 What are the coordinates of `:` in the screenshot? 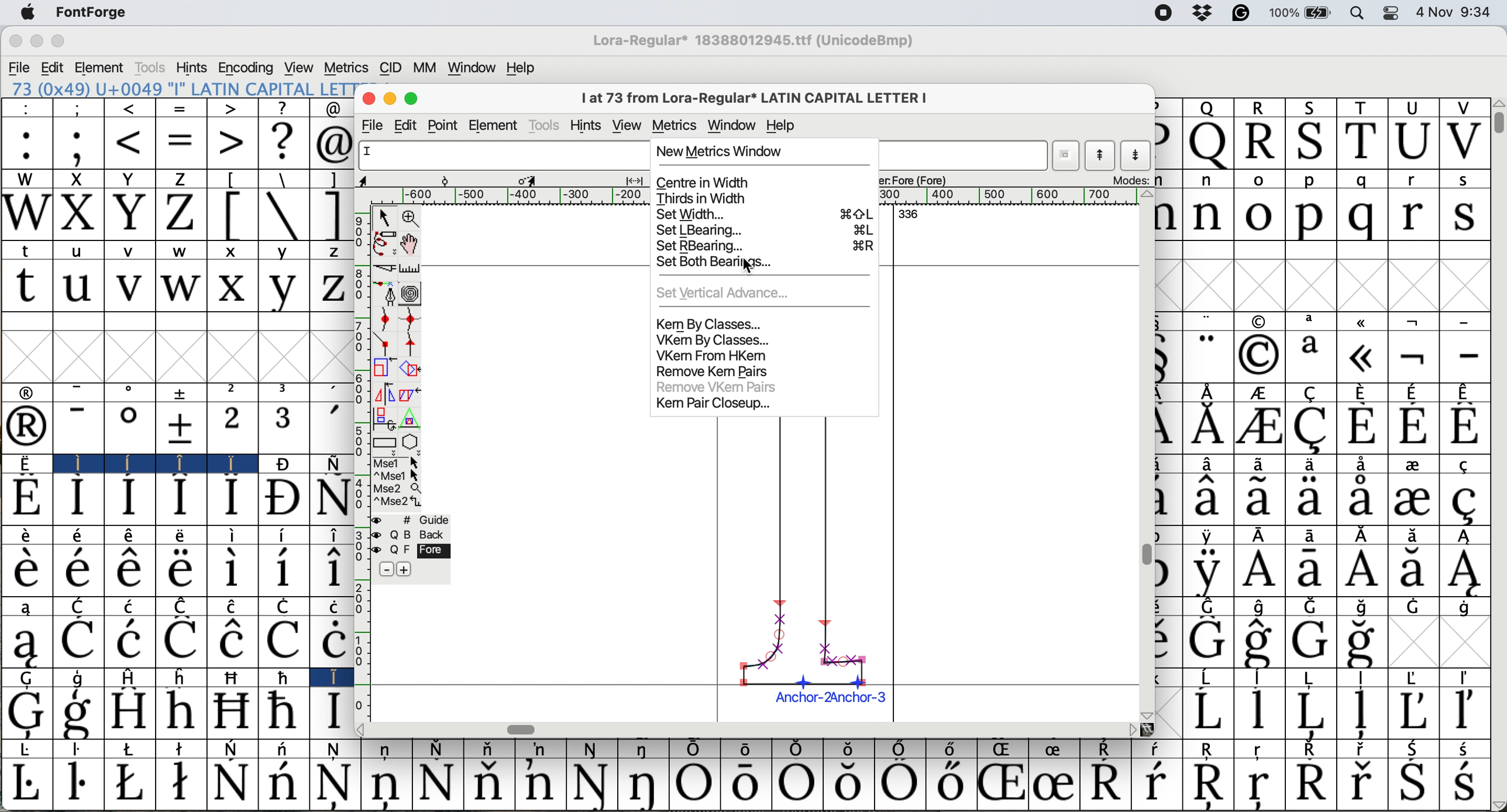 It's located at (25, 108).